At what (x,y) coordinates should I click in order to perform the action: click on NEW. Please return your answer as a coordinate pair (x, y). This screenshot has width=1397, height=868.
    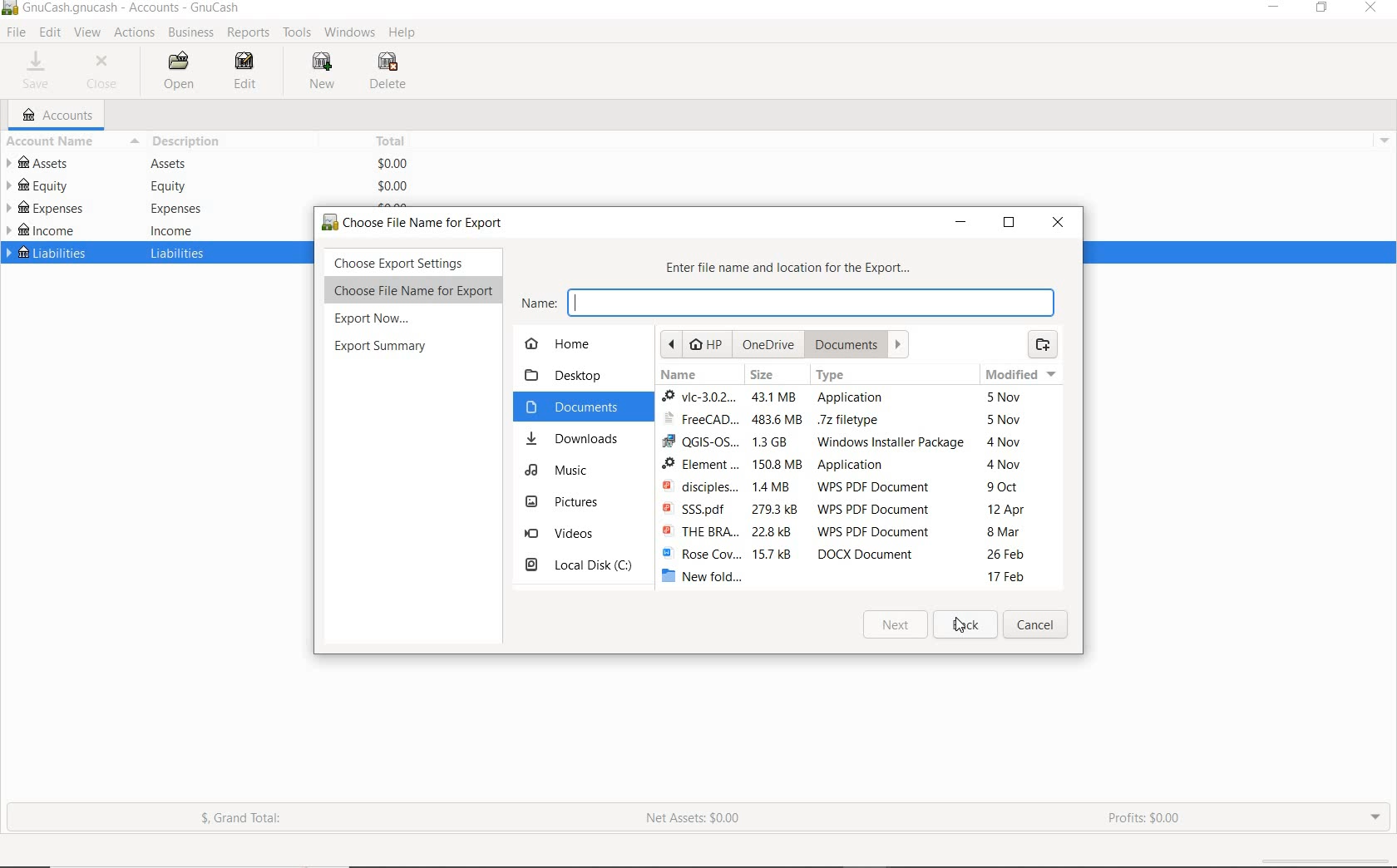
    Looking at the image, I should click on (321, 74).